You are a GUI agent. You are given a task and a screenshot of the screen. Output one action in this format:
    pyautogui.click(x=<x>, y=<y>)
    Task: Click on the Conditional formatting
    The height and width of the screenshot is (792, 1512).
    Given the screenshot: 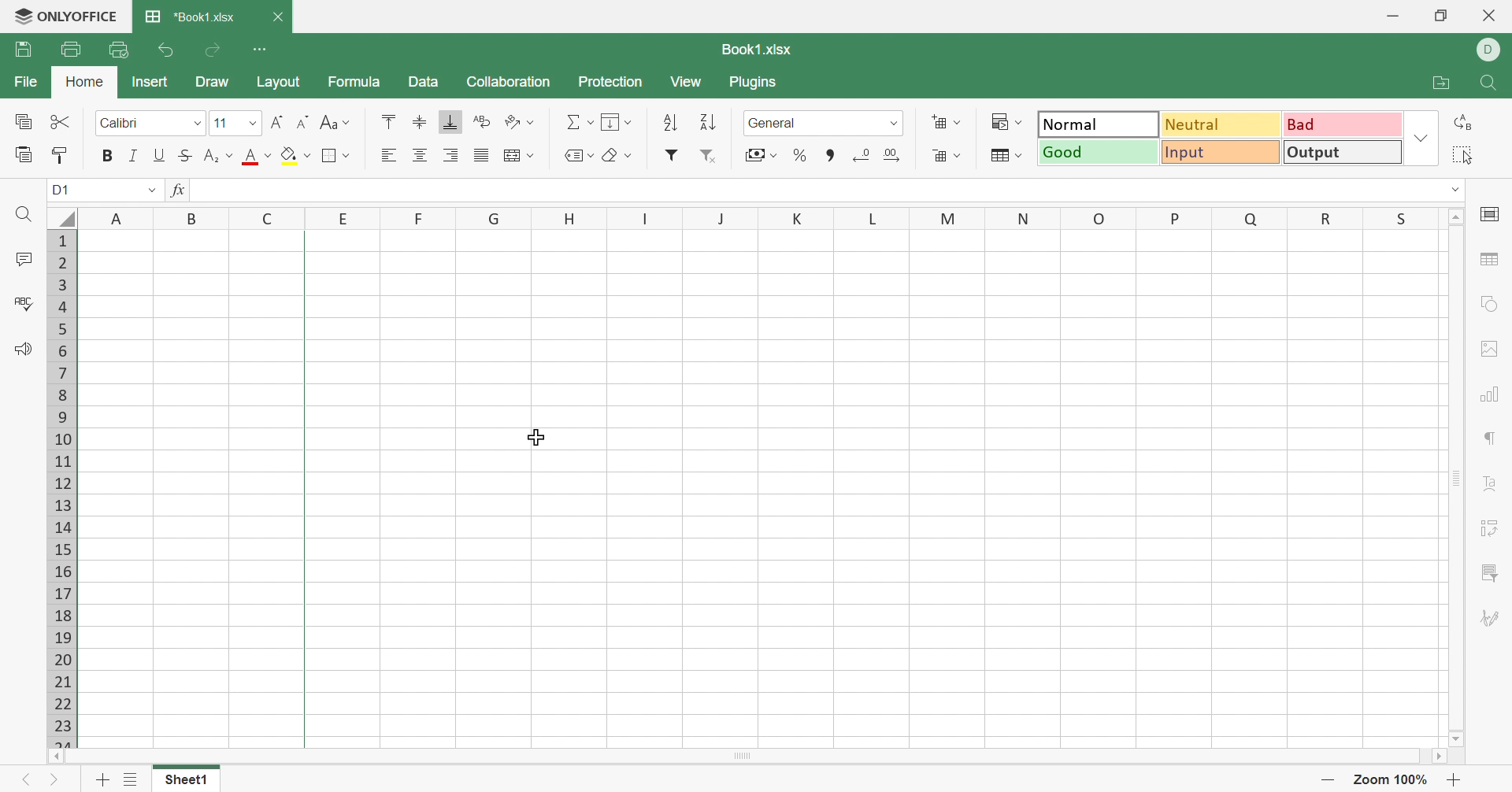 What is the action you would take?
    pyautogui.click(x=997, y=120)
    